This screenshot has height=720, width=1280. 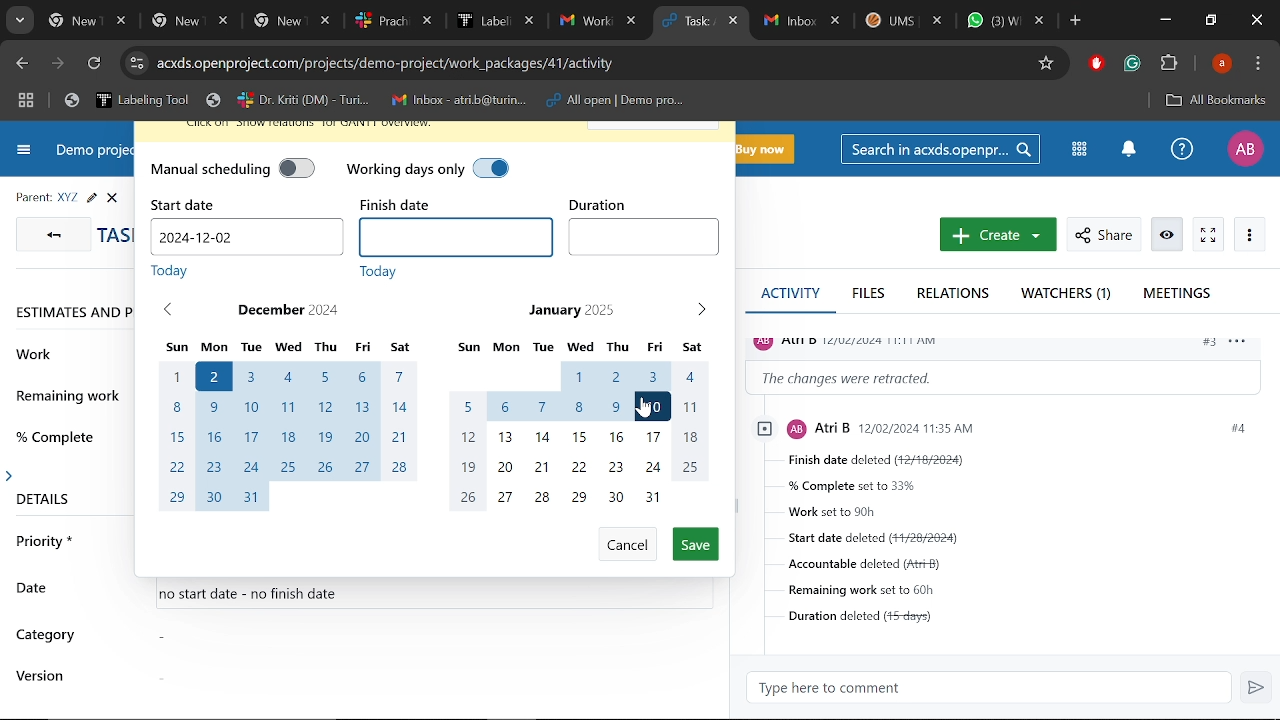 What do you see at coordinates (772, 150) in the screenshot?
I see `Buy now` at bounding box center [772, 150].